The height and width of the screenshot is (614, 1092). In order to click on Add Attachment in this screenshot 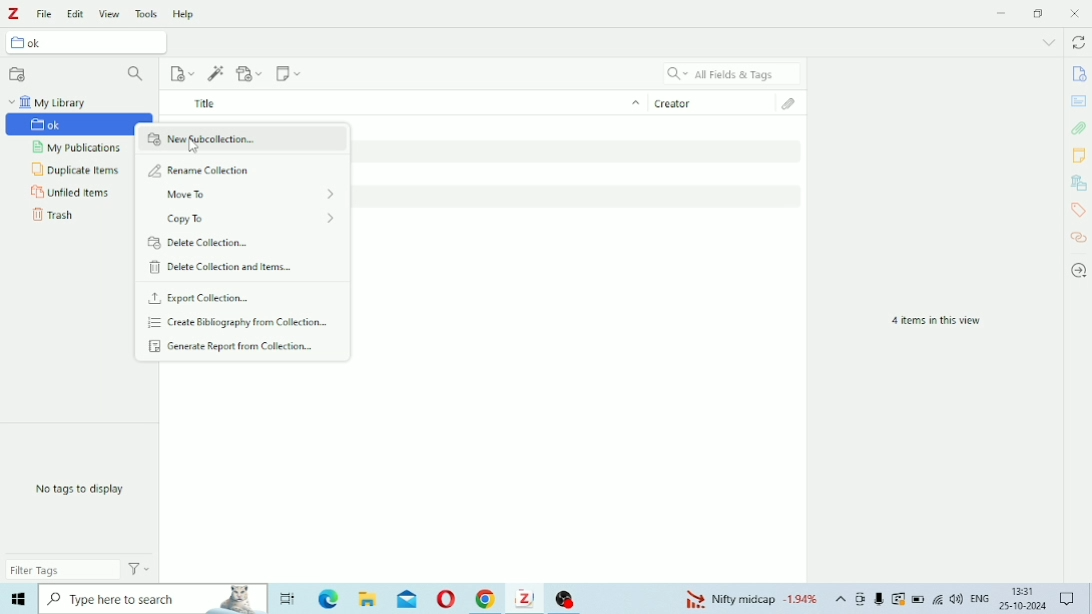, I will do `click(251, 73)`.